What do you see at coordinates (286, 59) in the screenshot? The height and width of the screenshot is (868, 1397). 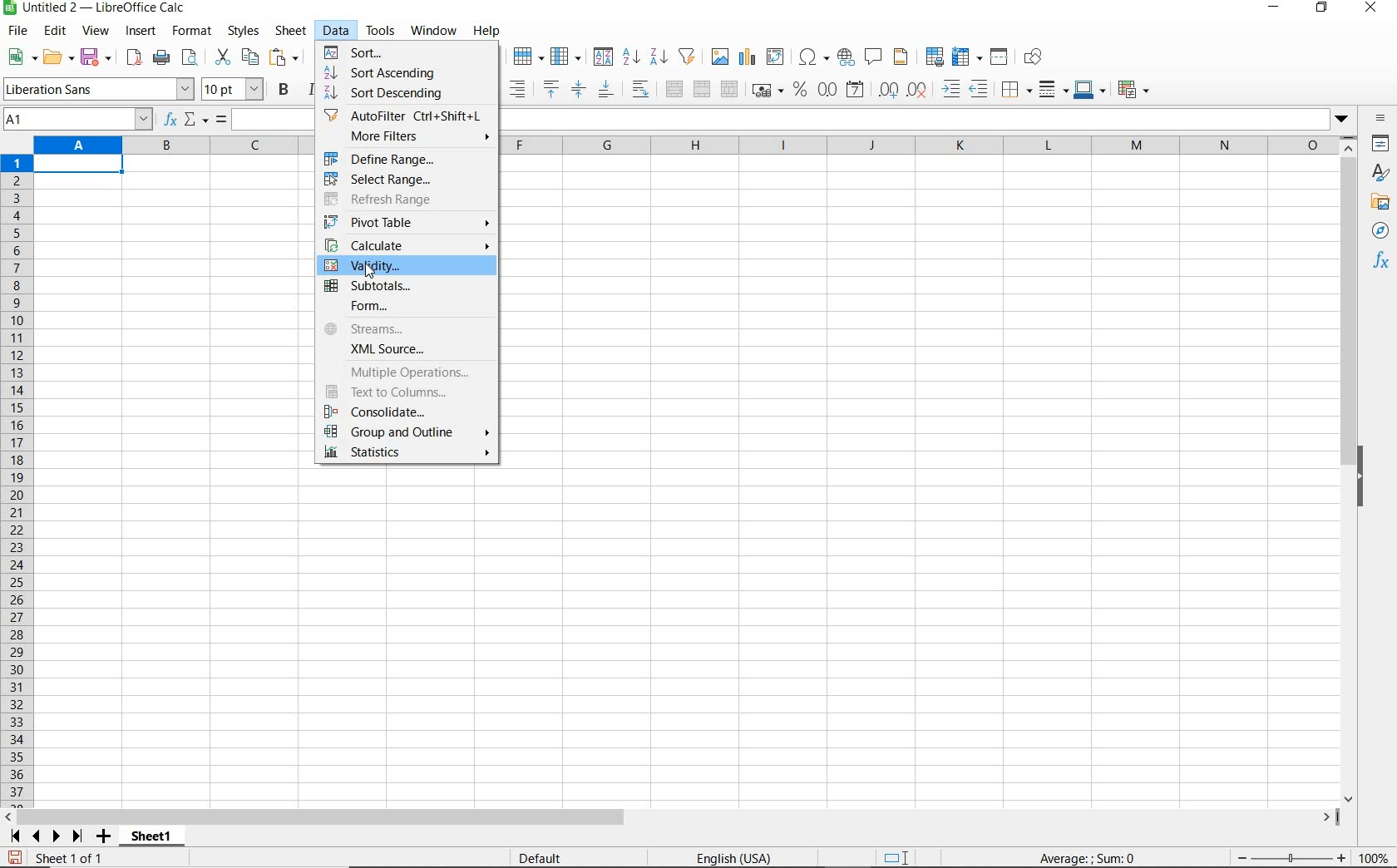 I see `paste` at bounding box center [286, 59].